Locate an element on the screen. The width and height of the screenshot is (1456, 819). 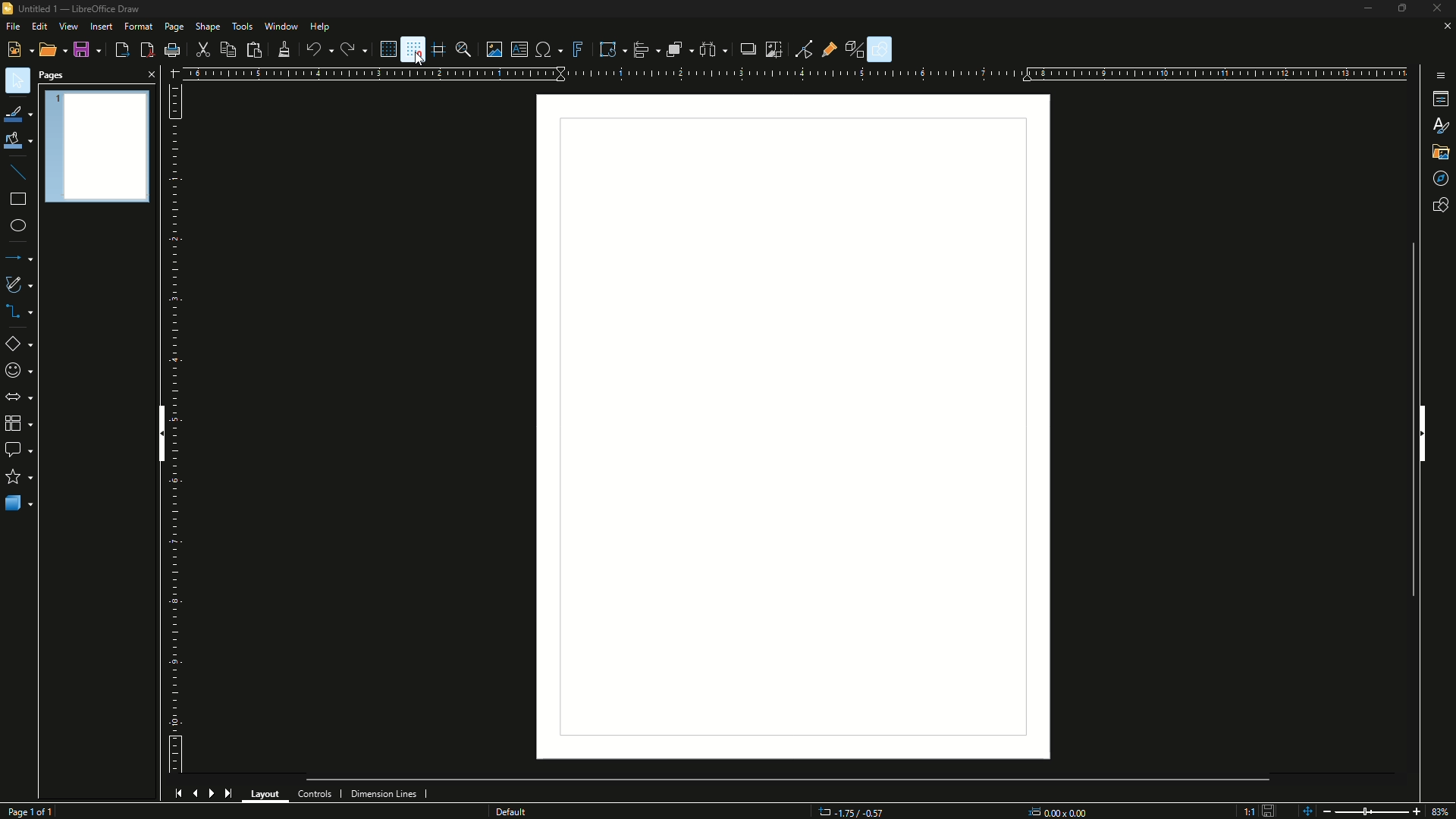
New is located at coordinates (17, 50).